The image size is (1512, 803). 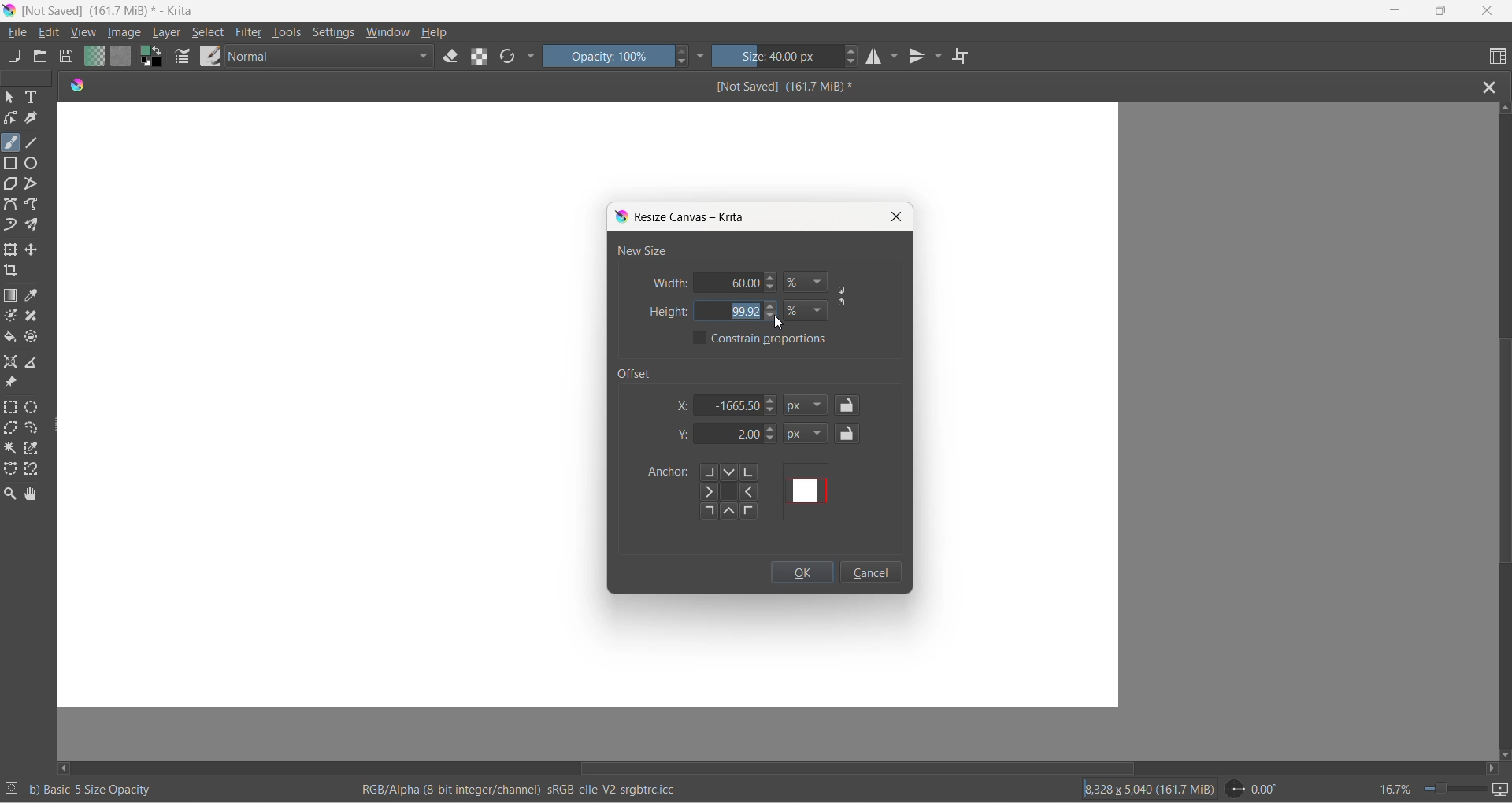 What do you see at coordinates (12, 430) in the screenshot?
I see `polygonal selection tool` at bounding box center [12, 430].